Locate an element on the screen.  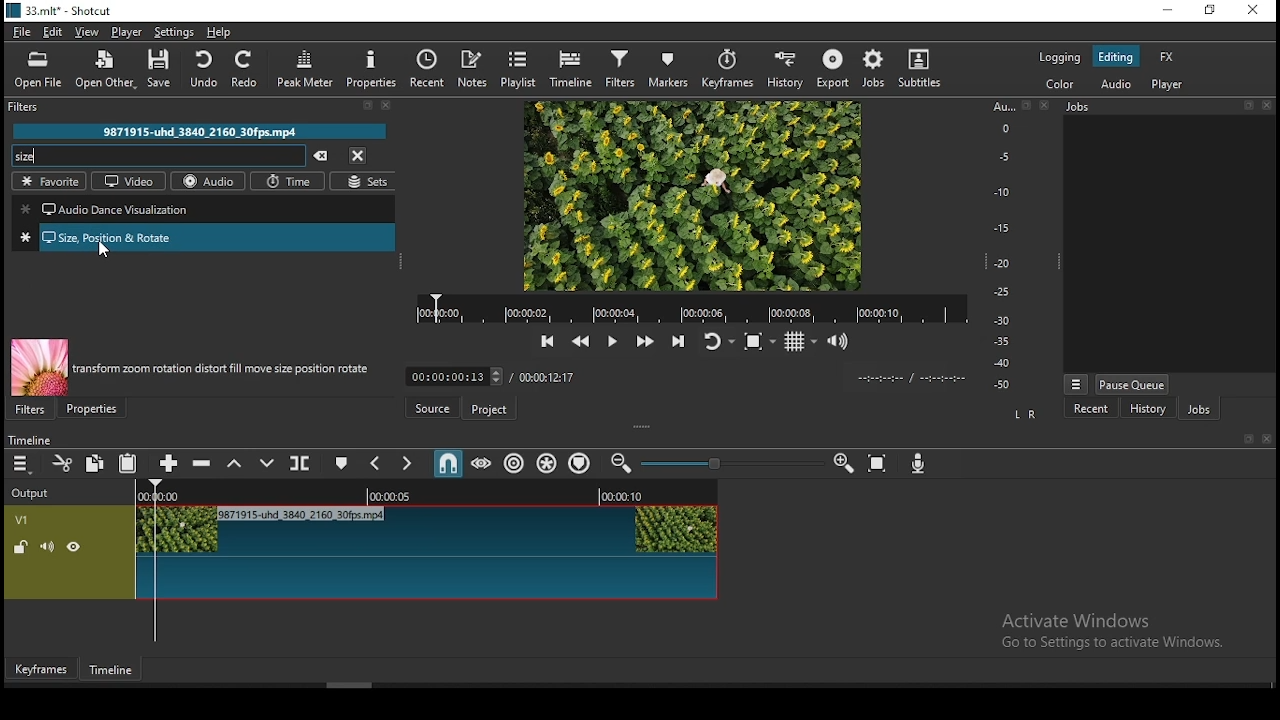
source is located at coordinates (439, 408).